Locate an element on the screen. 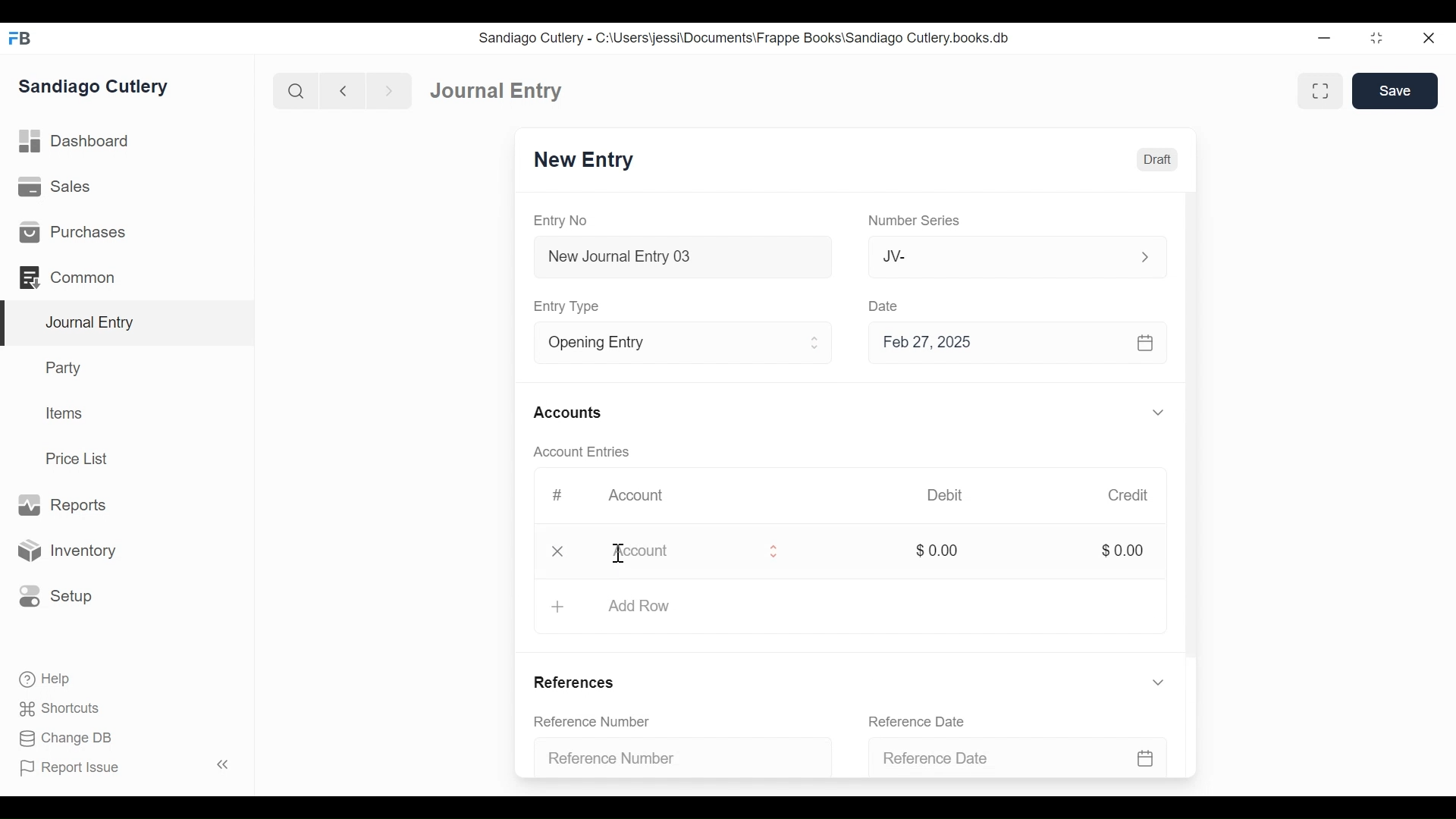  Restore is located at coordinates (1376, 37).